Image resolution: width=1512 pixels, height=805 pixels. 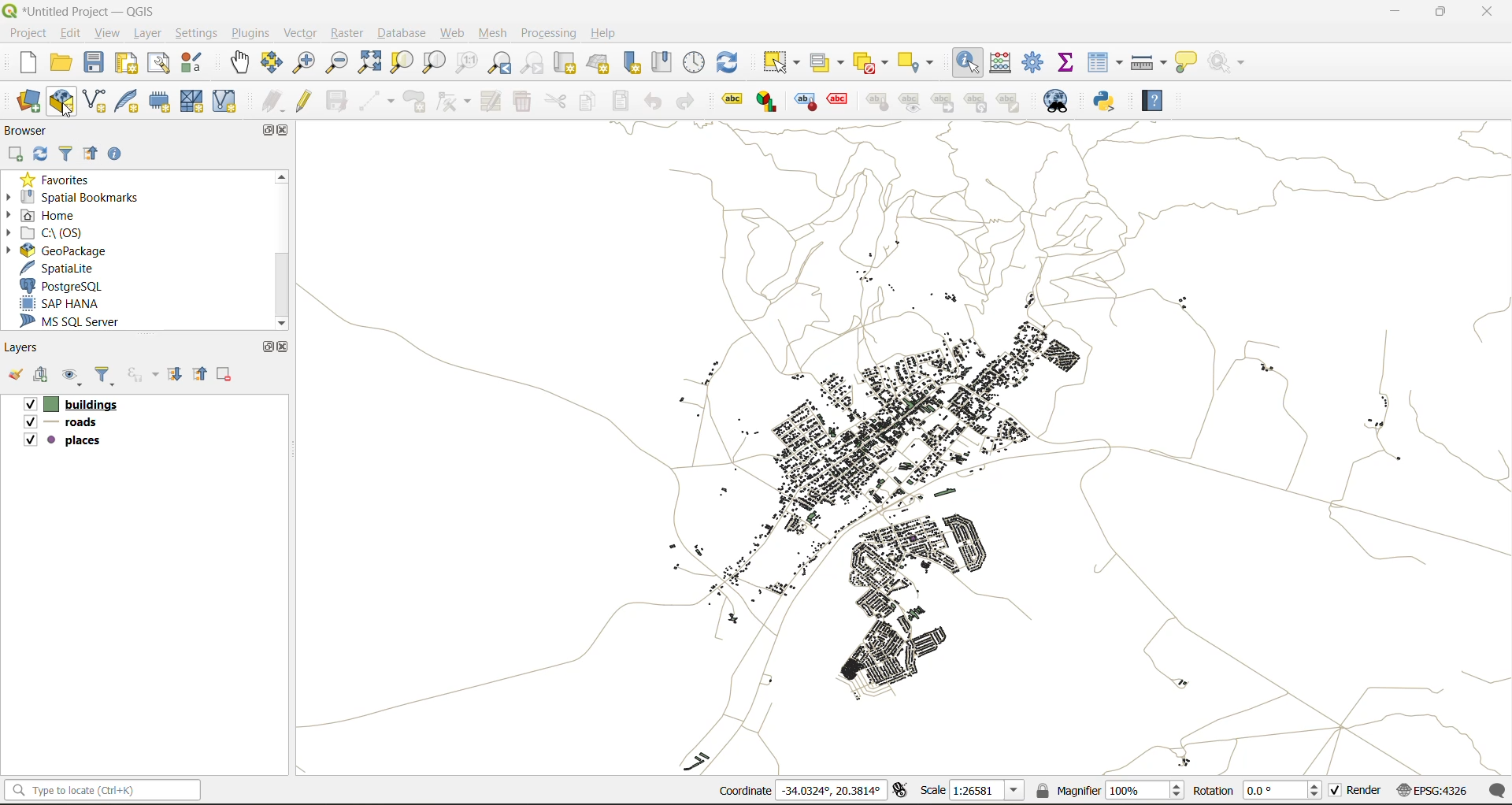 What do you see at coordinates (565, 65) in the screenshot?
I see `new map view` at bounding box center [565, 65].